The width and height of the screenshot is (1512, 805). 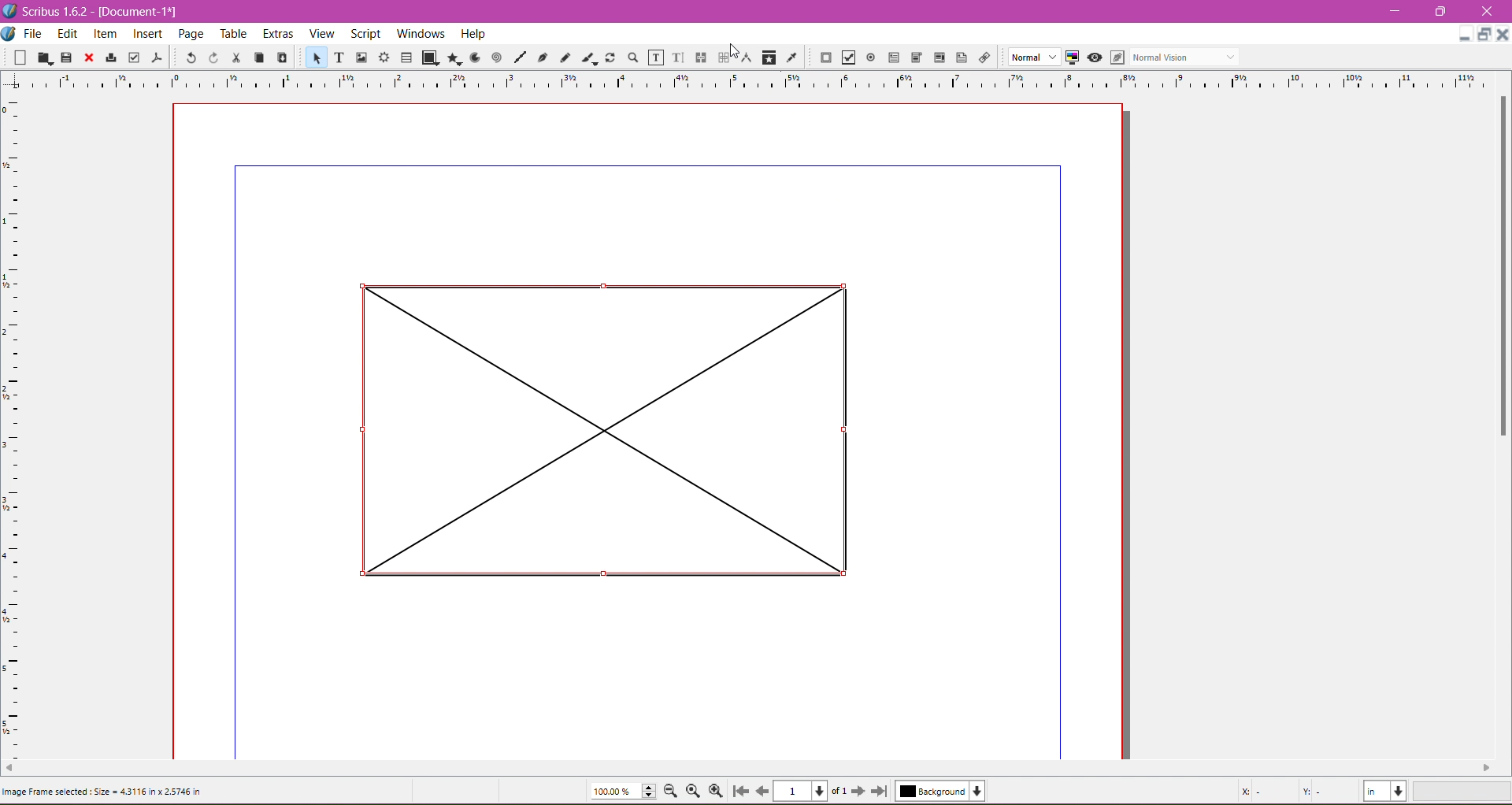 I want to click on Select the image preview quality, so click(x=1031, y=57).